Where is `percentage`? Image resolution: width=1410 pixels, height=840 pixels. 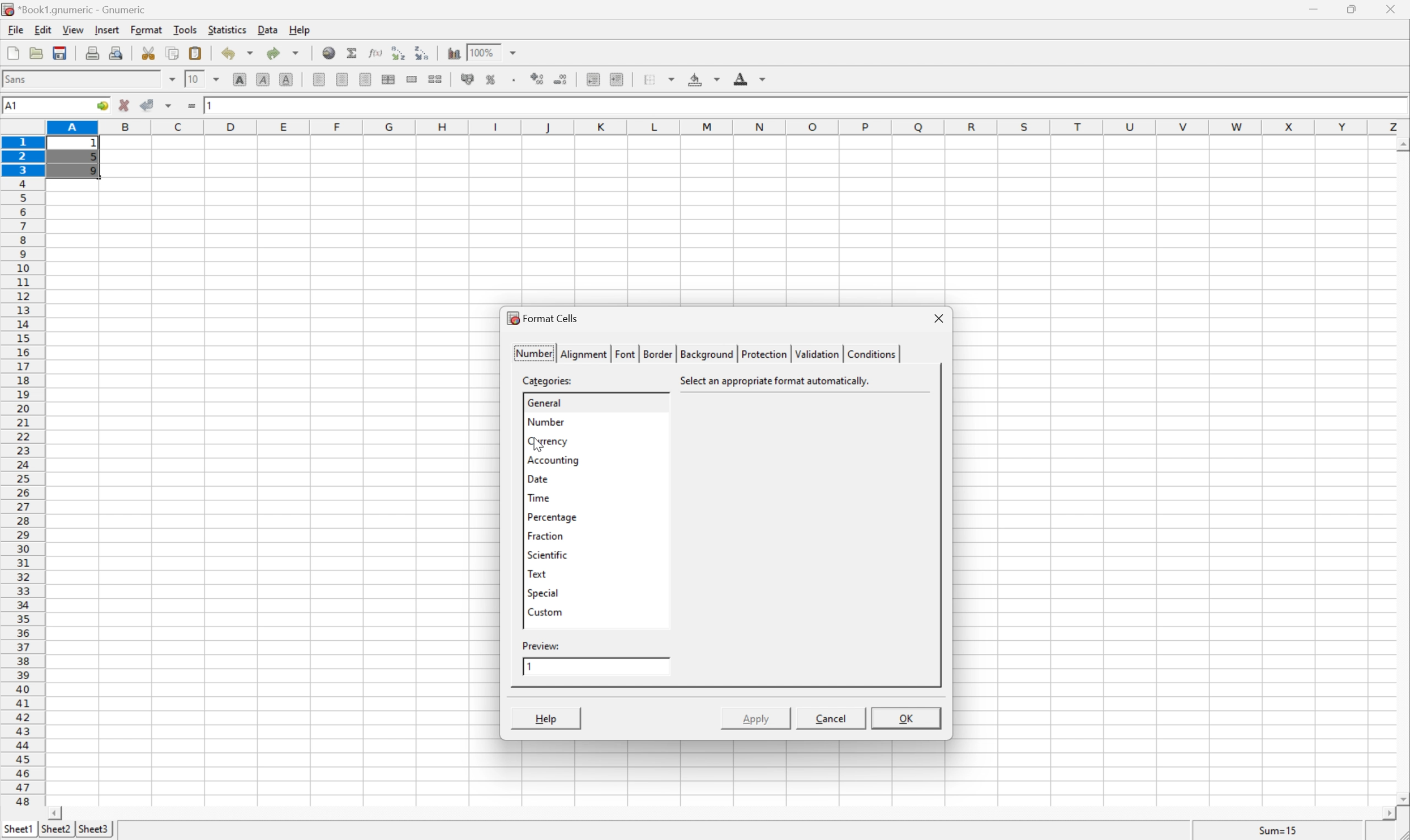 percentage is located at coordinates (553, 517).